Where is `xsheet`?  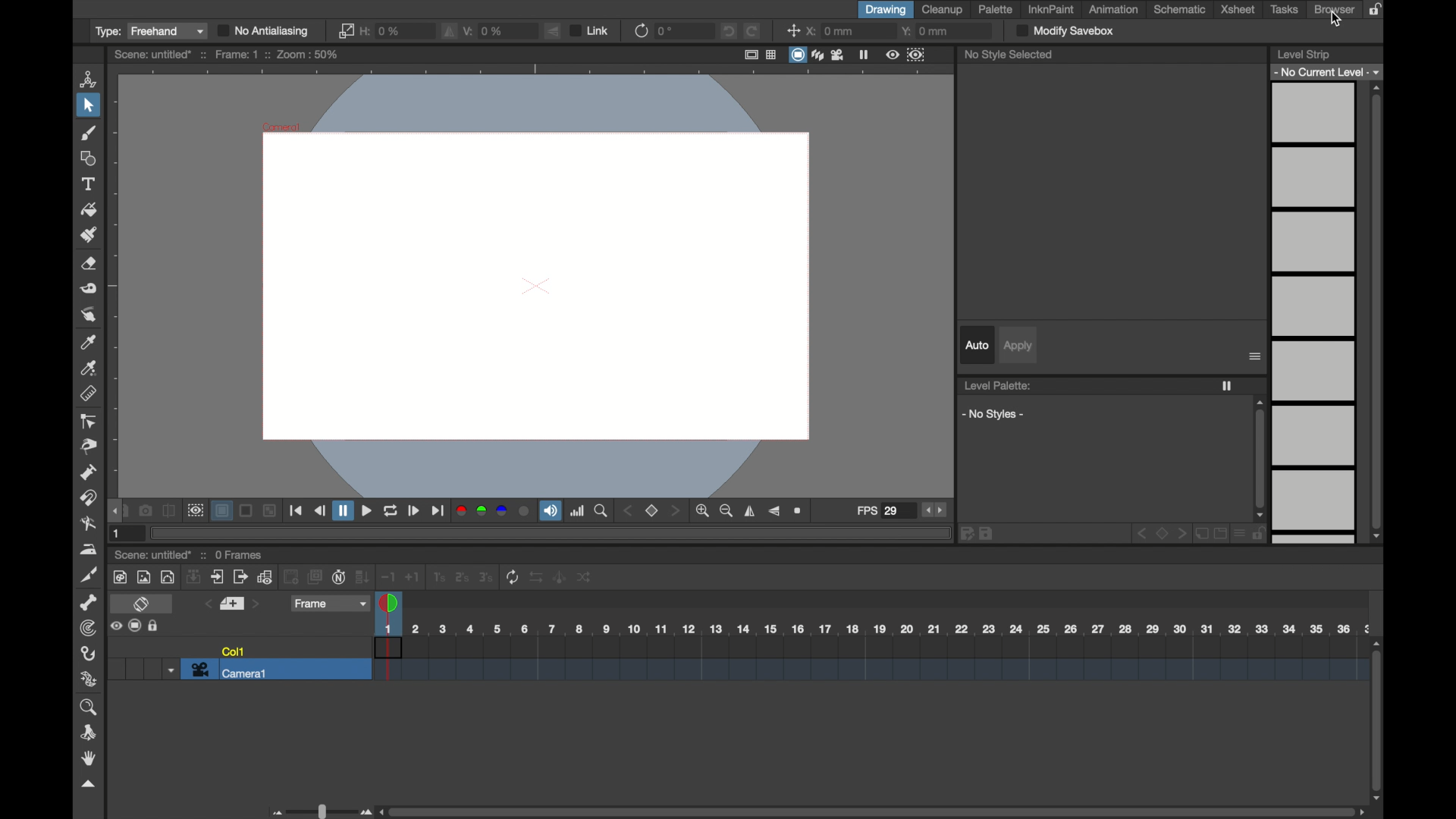
xsheet is located at coordinates (1238, 10).